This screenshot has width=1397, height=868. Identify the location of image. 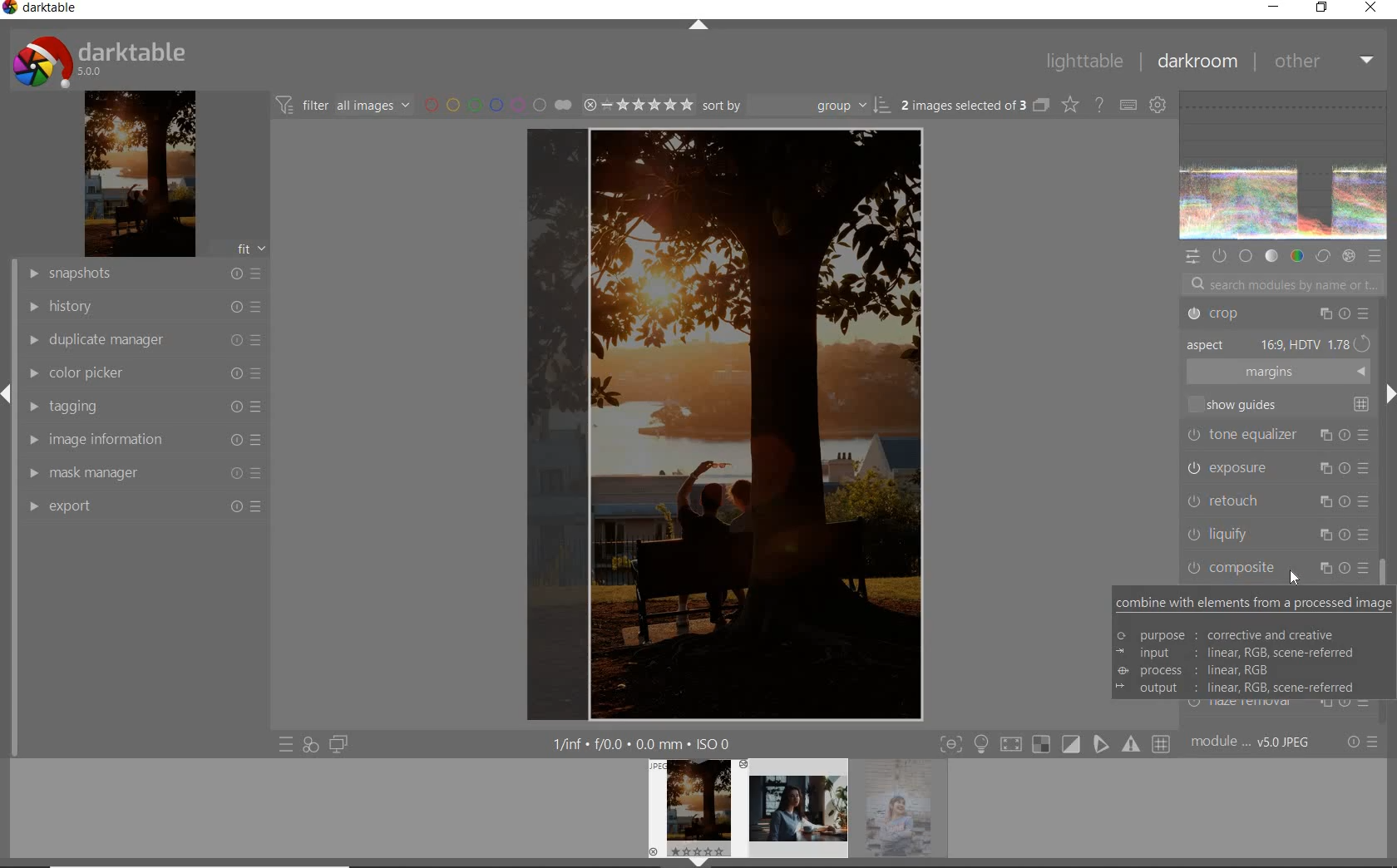
(138, 175).